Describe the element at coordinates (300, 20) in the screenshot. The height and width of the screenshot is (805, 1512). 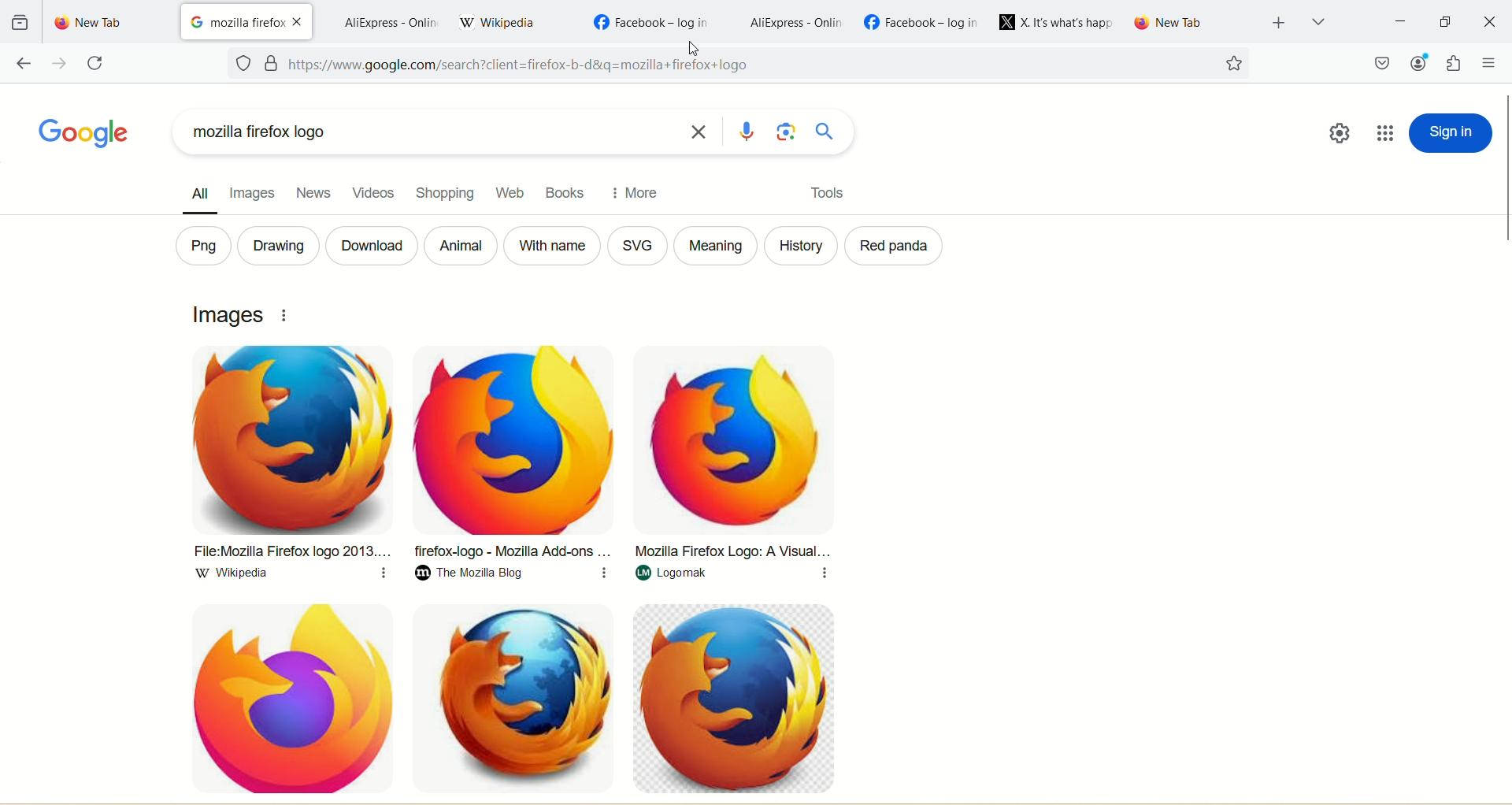
I see `close` at that location.